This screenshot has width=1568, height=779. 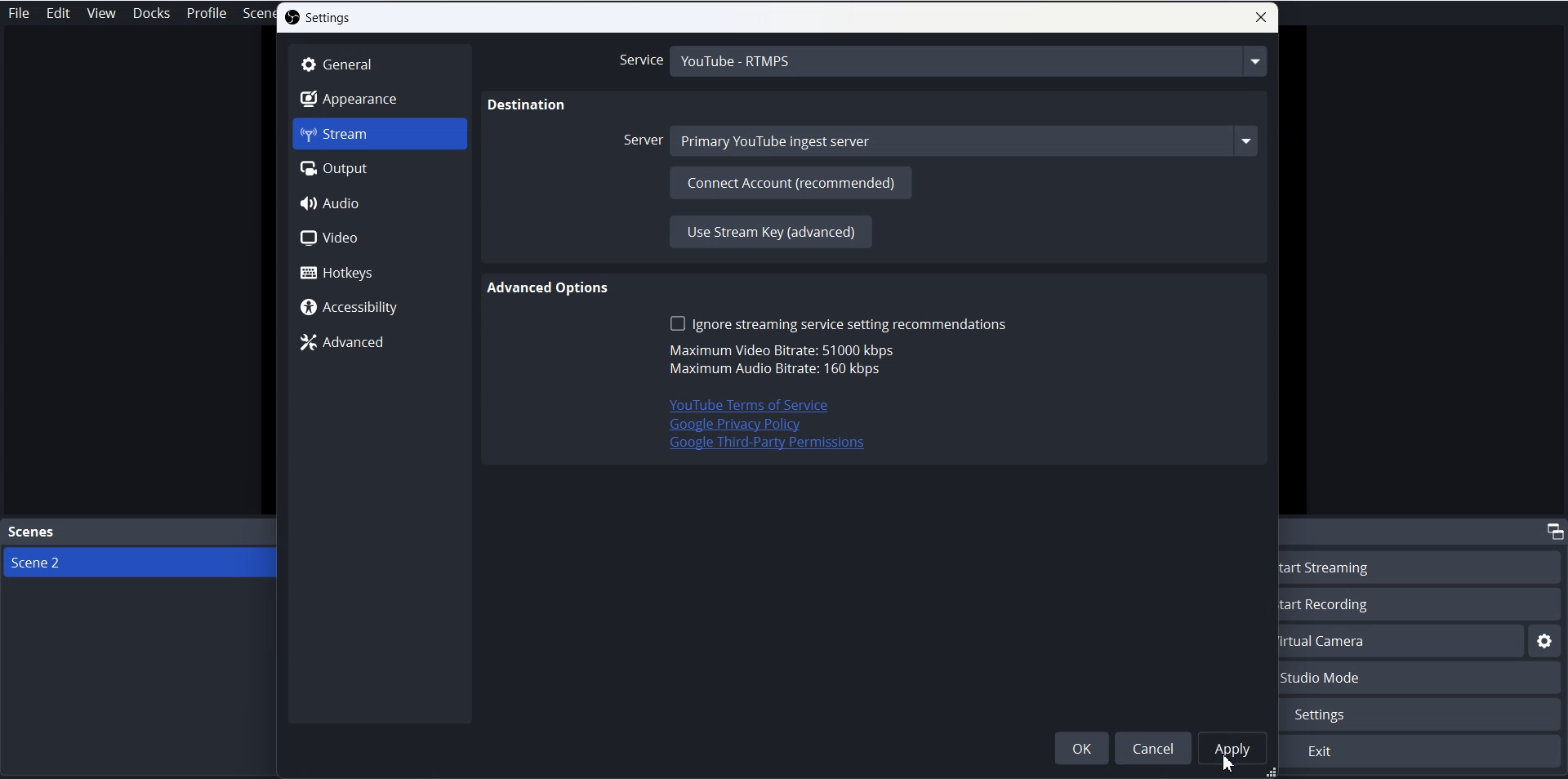 What do you see at coordinates (791, 181) in the screenshot?
I see `Connect account recommended` at bounding box center [791, 181].